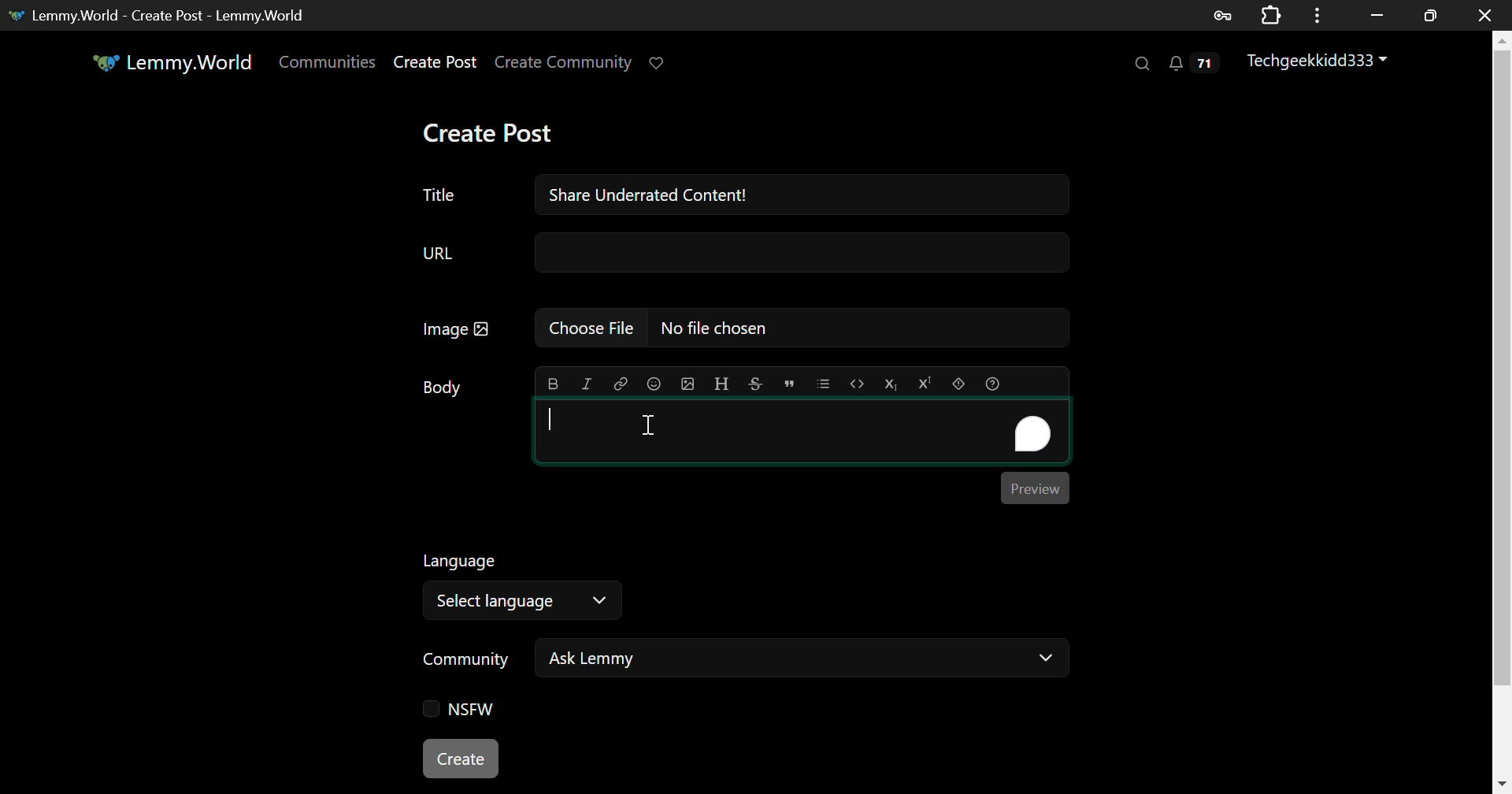  I want to click on Emoji, so click(654, 383).